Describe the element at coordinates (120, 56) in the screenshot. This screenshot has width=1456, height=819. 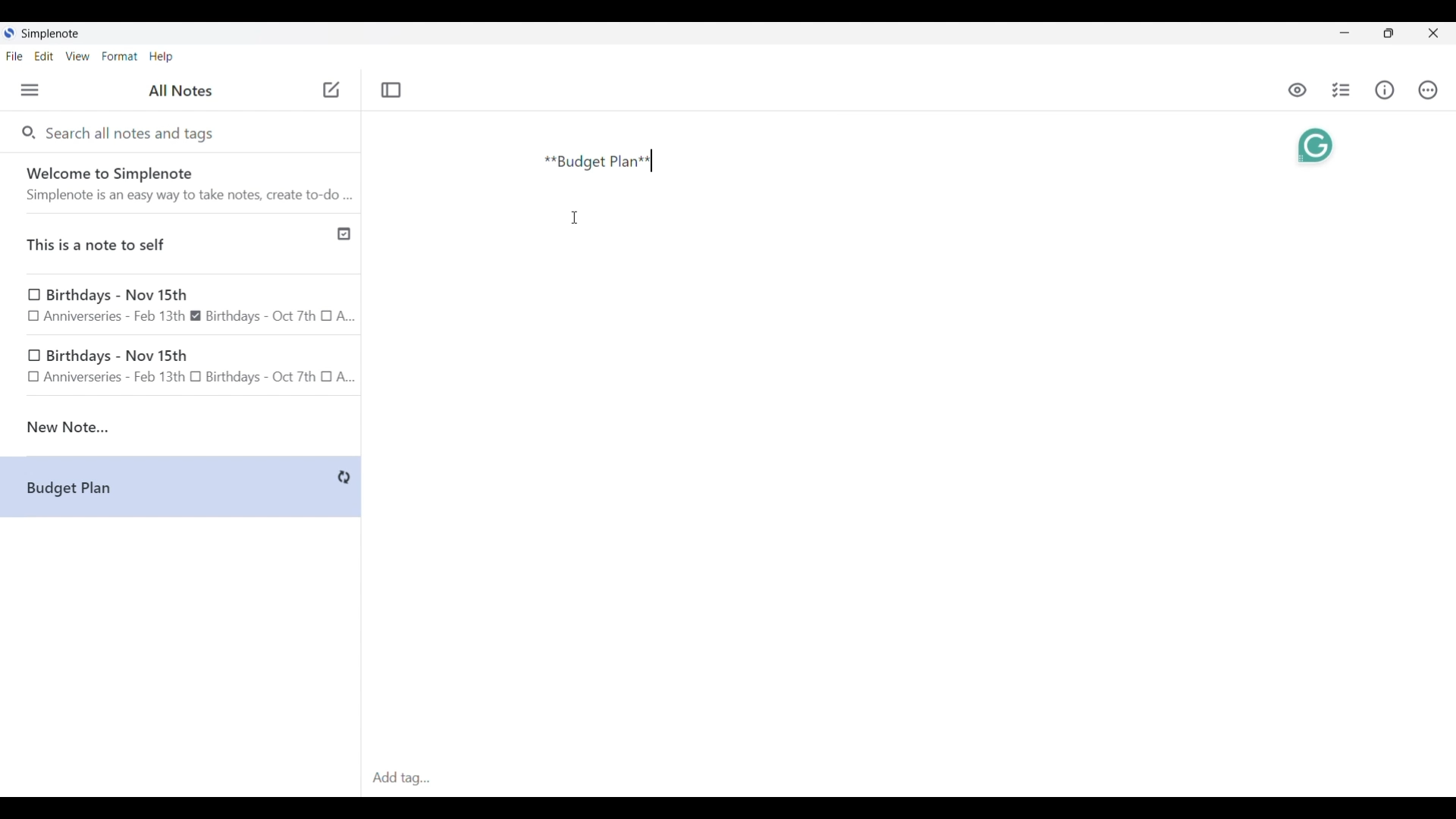
I see `Format menu` at that location.